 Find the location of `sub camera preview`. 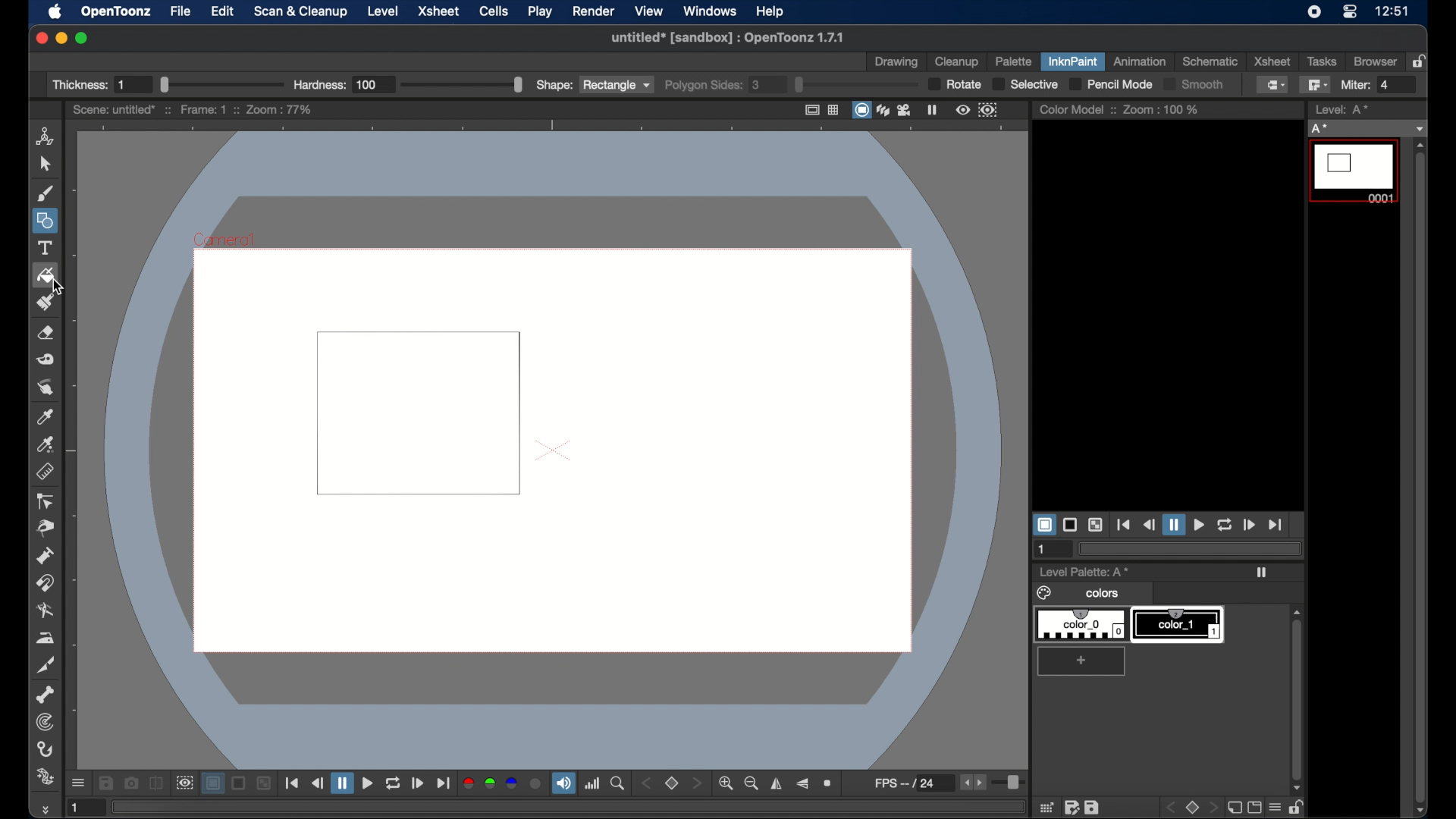

sub camera preview is located at coordinates (988, 110).